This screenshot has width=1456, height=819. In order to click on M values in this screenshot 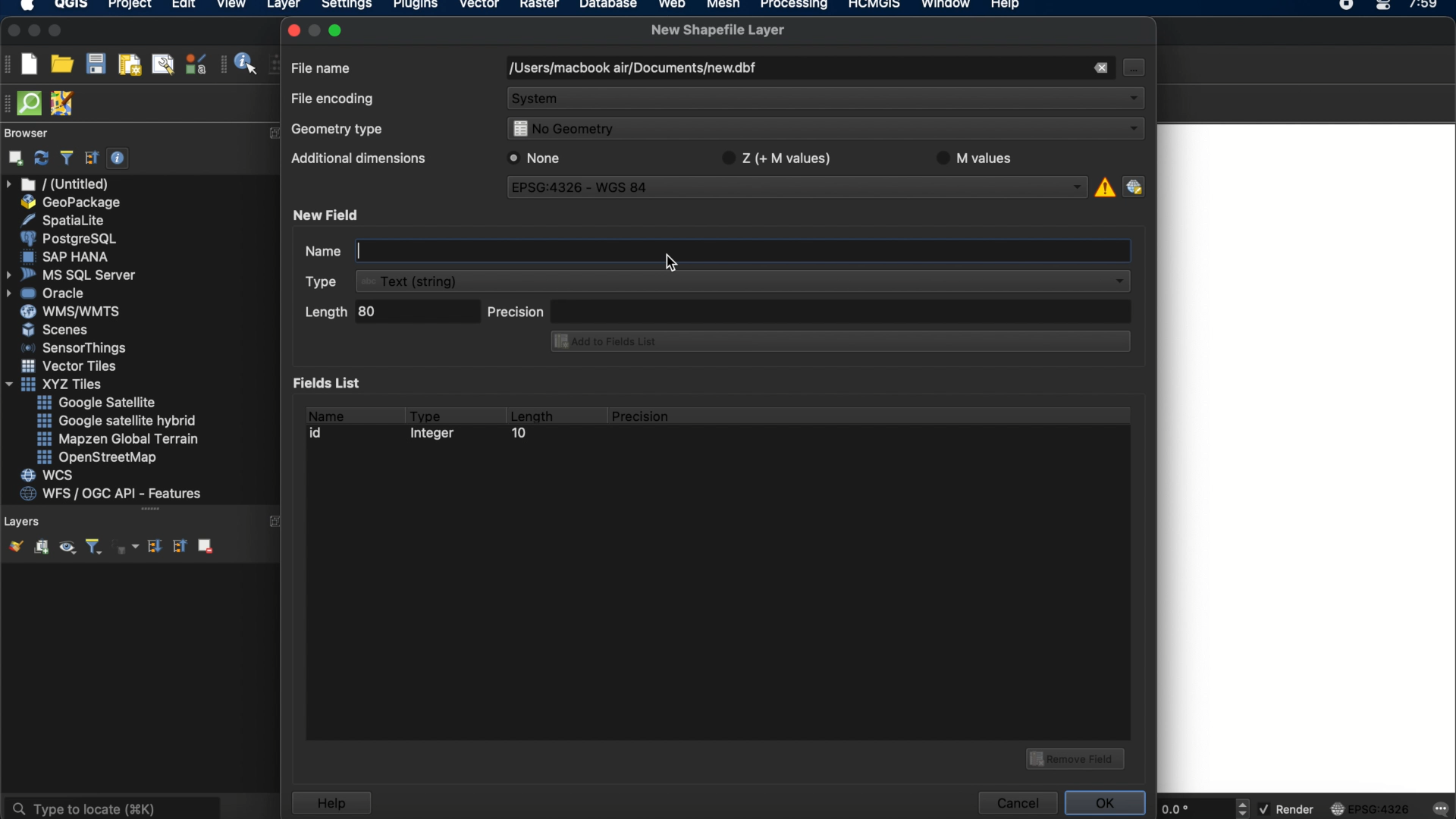, I will do `click(981, 158)`.